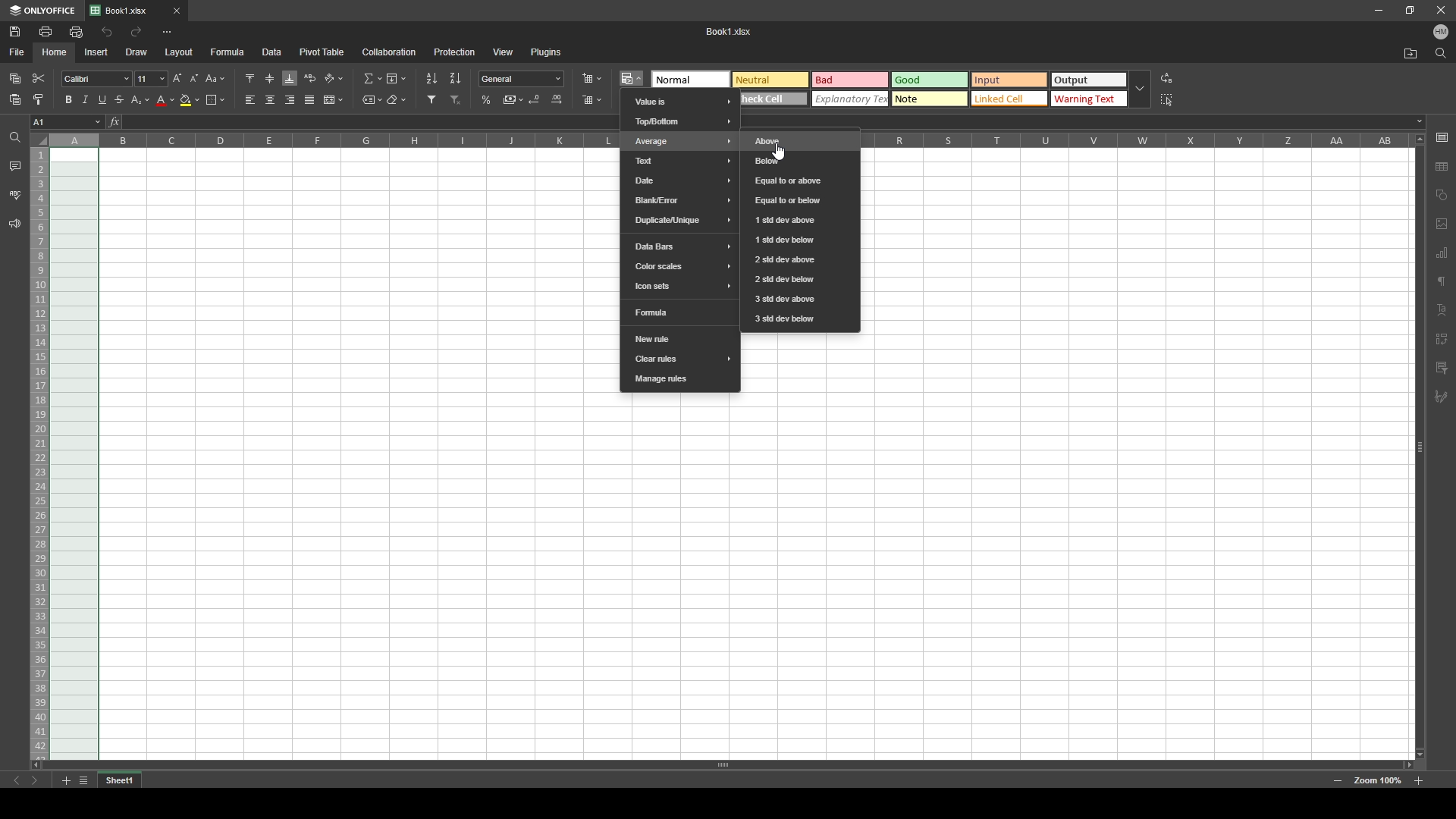  What do you see at coordinates (177, 11) in the screenshot?
I see `close tab` at bounding box center [177, 11].